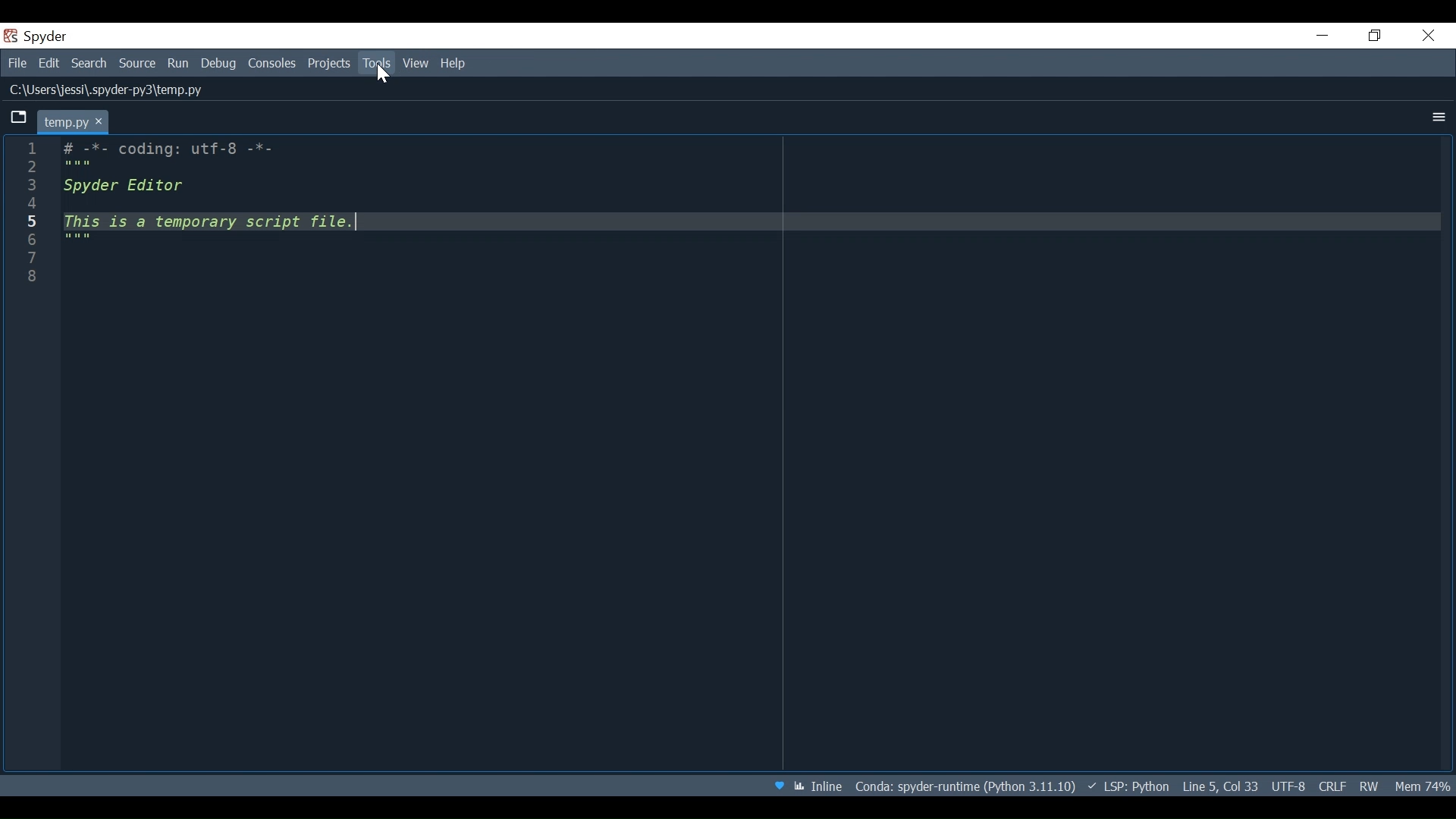 Image resolution: width=1456 pixels, height=819 pixels. I want to click on Language, so click(1126, 786).